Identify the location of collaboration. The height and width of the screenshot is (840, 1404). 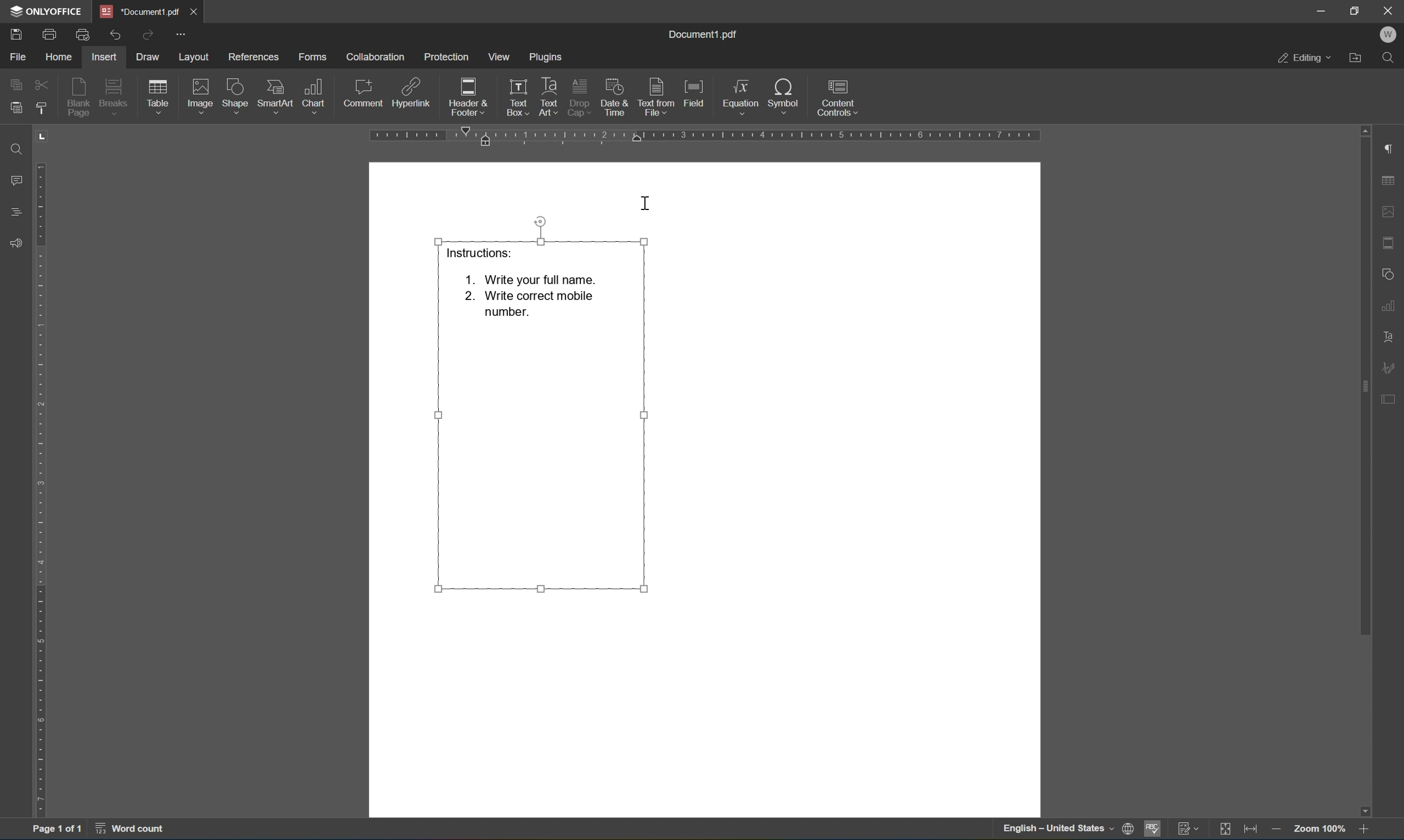
(377, 57).